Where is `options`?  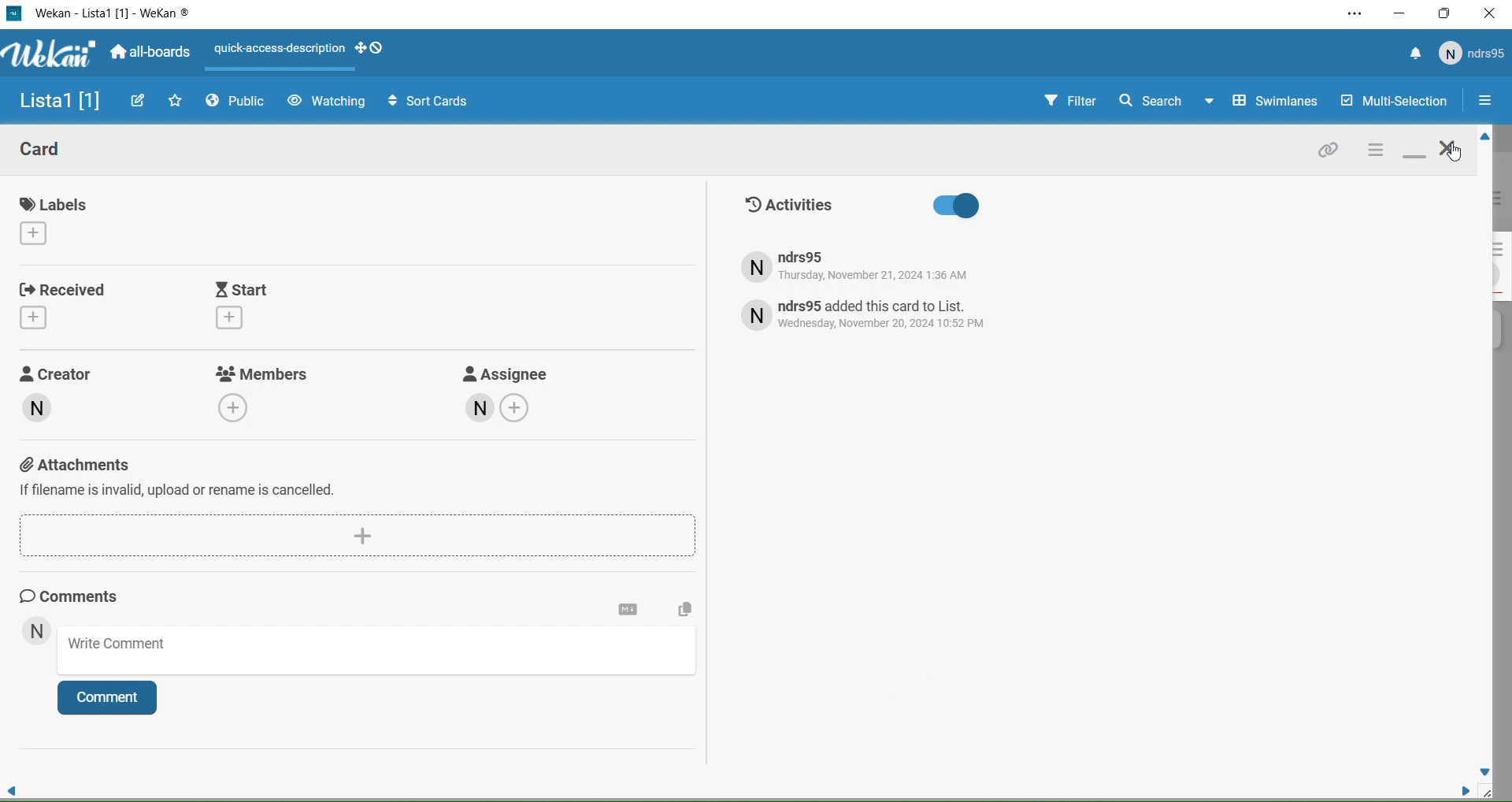
options is located at coordinates (1374, 151).